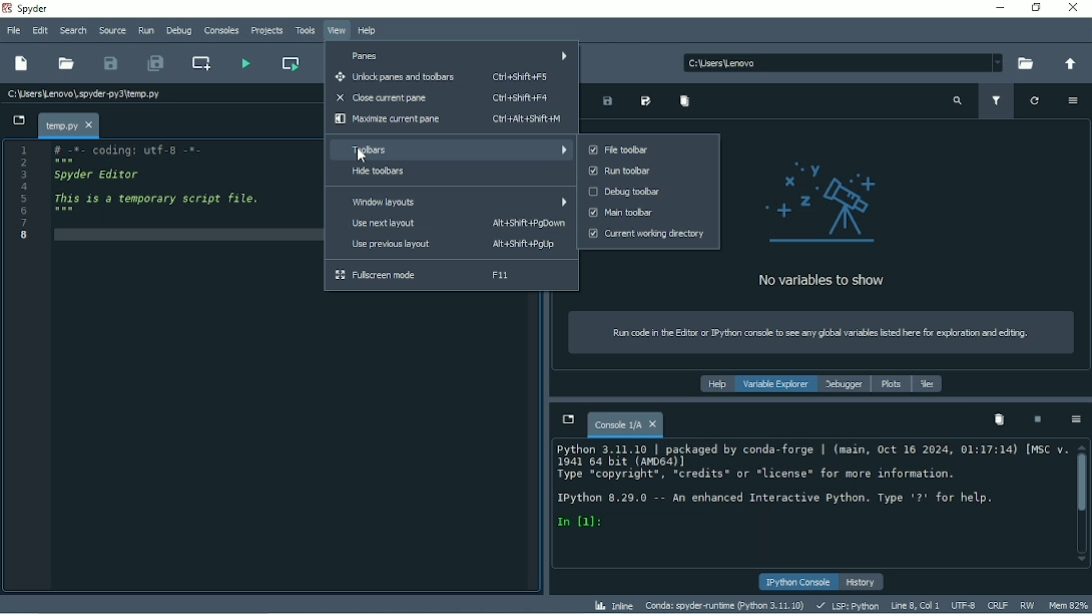  What do you see at coordinates (928, 384) in the screenshot?
I see `Files` at bounding box center [928, 384].